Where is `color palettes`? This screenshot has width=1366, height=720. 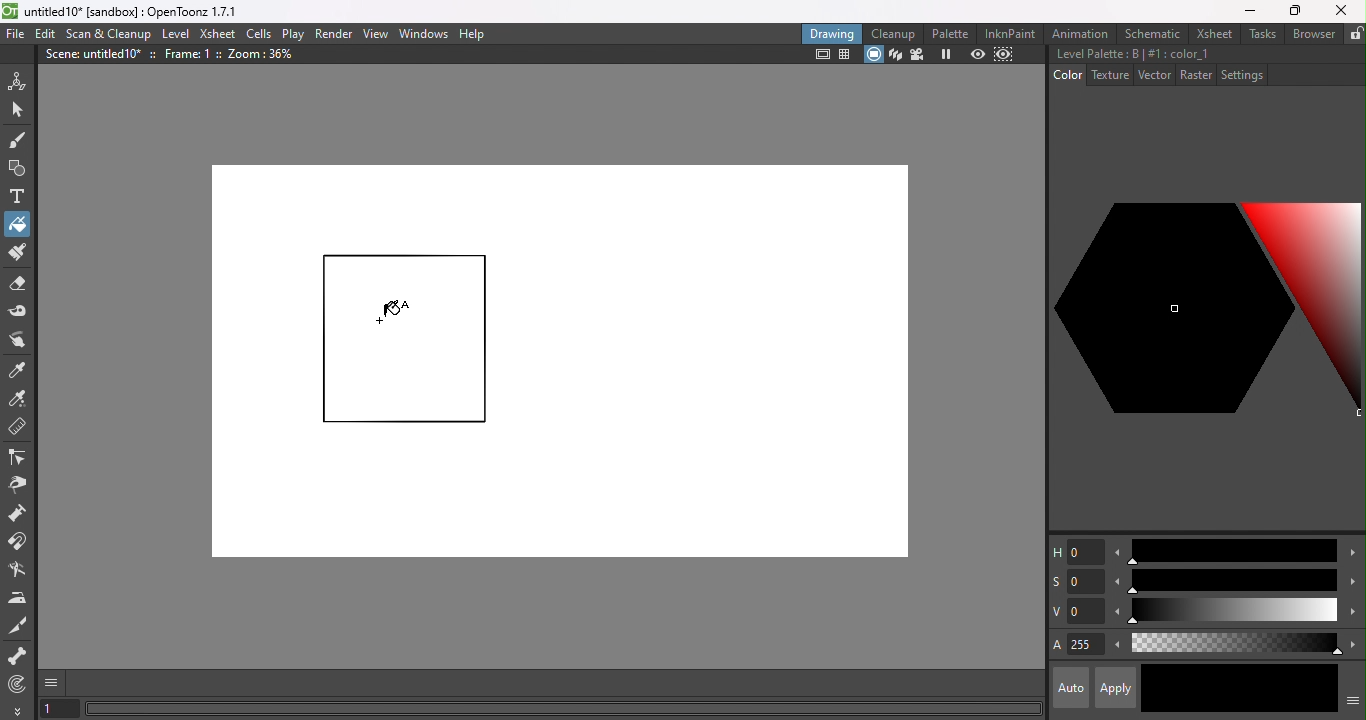 color palettes is located at coordinates (1207, 315).